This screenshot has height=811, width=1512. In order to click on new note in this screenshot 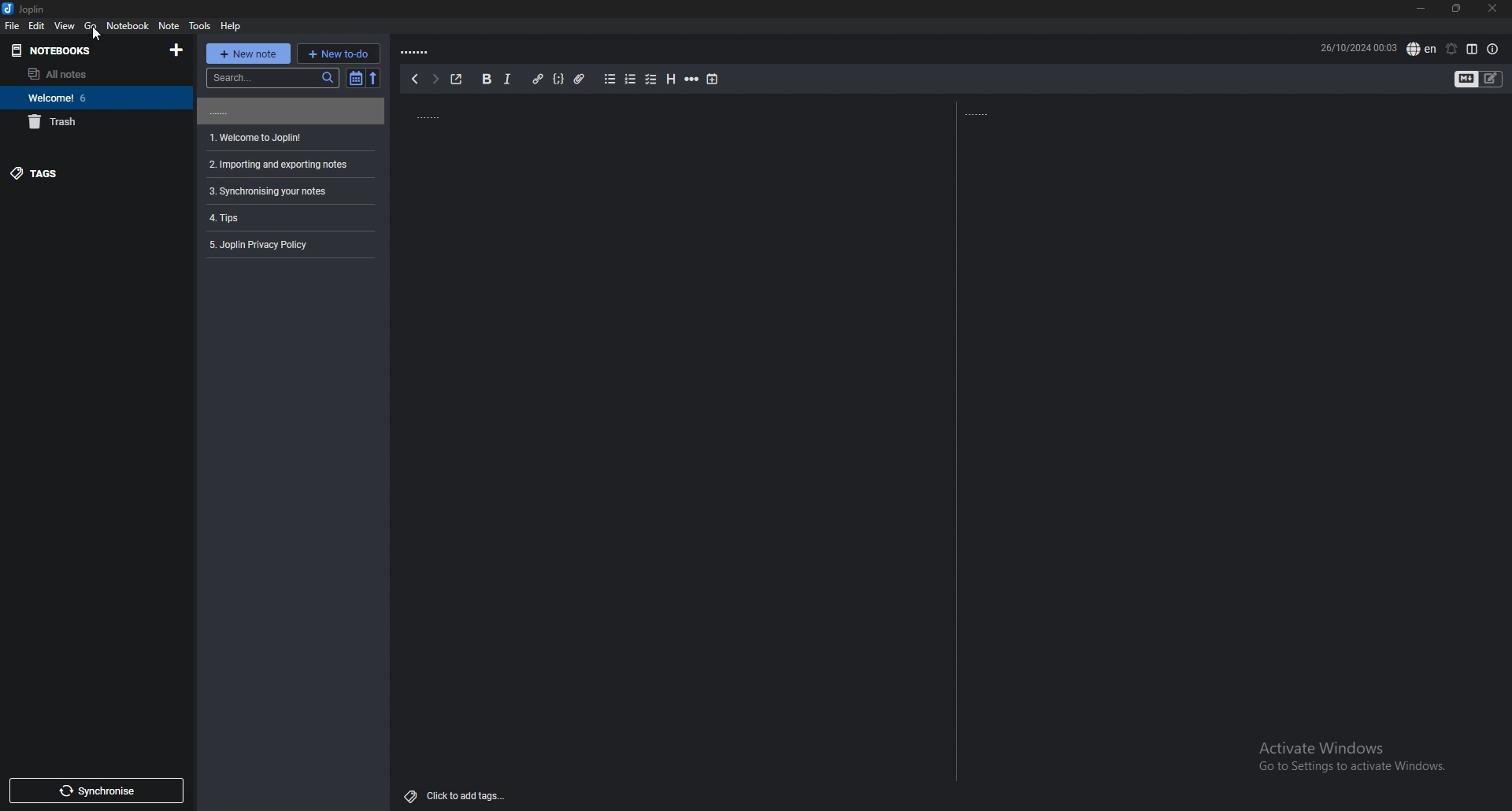, I will do `click(247, 53)`.